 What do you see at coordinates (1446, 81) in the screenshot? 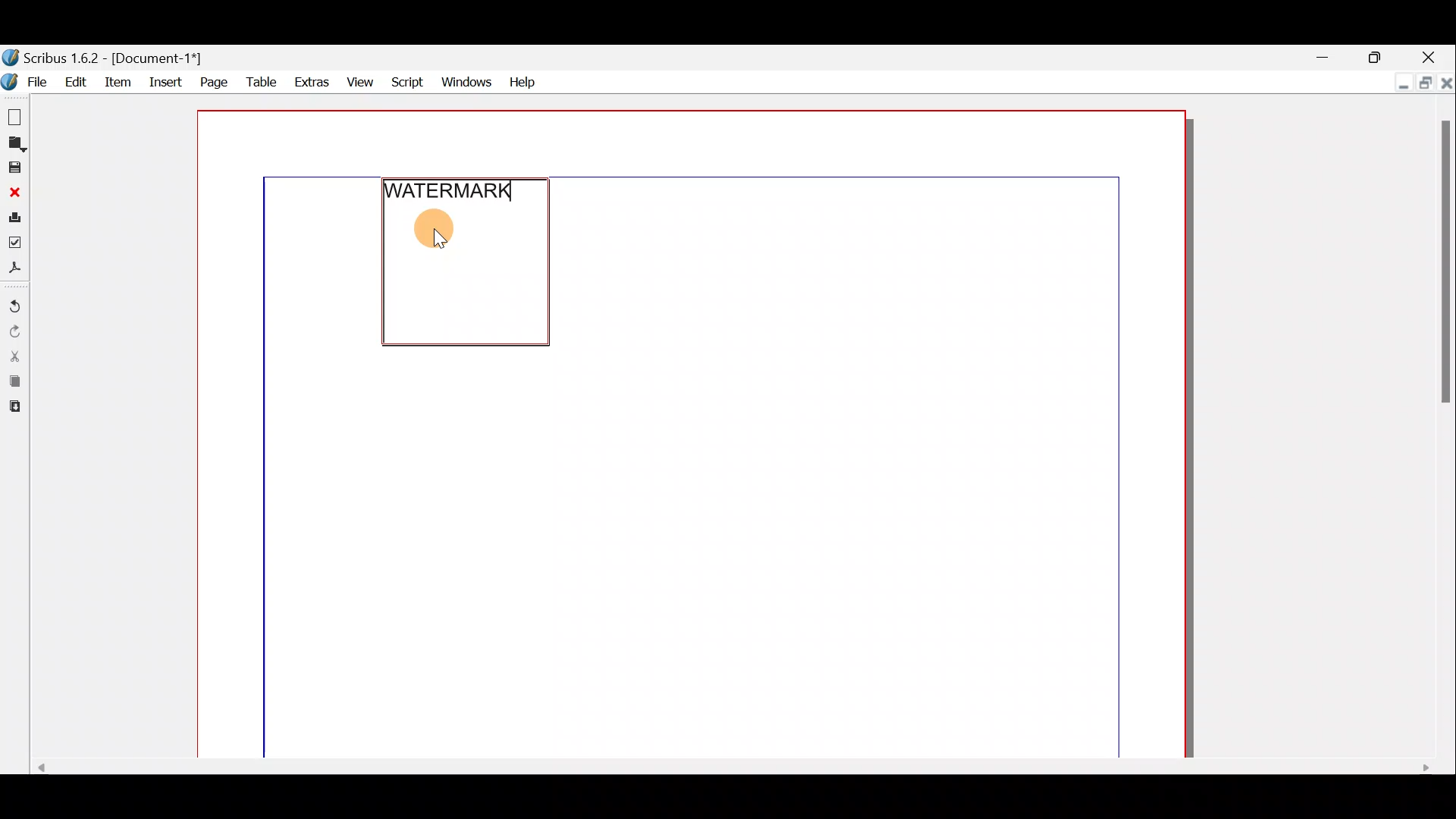
I see `Close` at bounding box center [1446, 81].